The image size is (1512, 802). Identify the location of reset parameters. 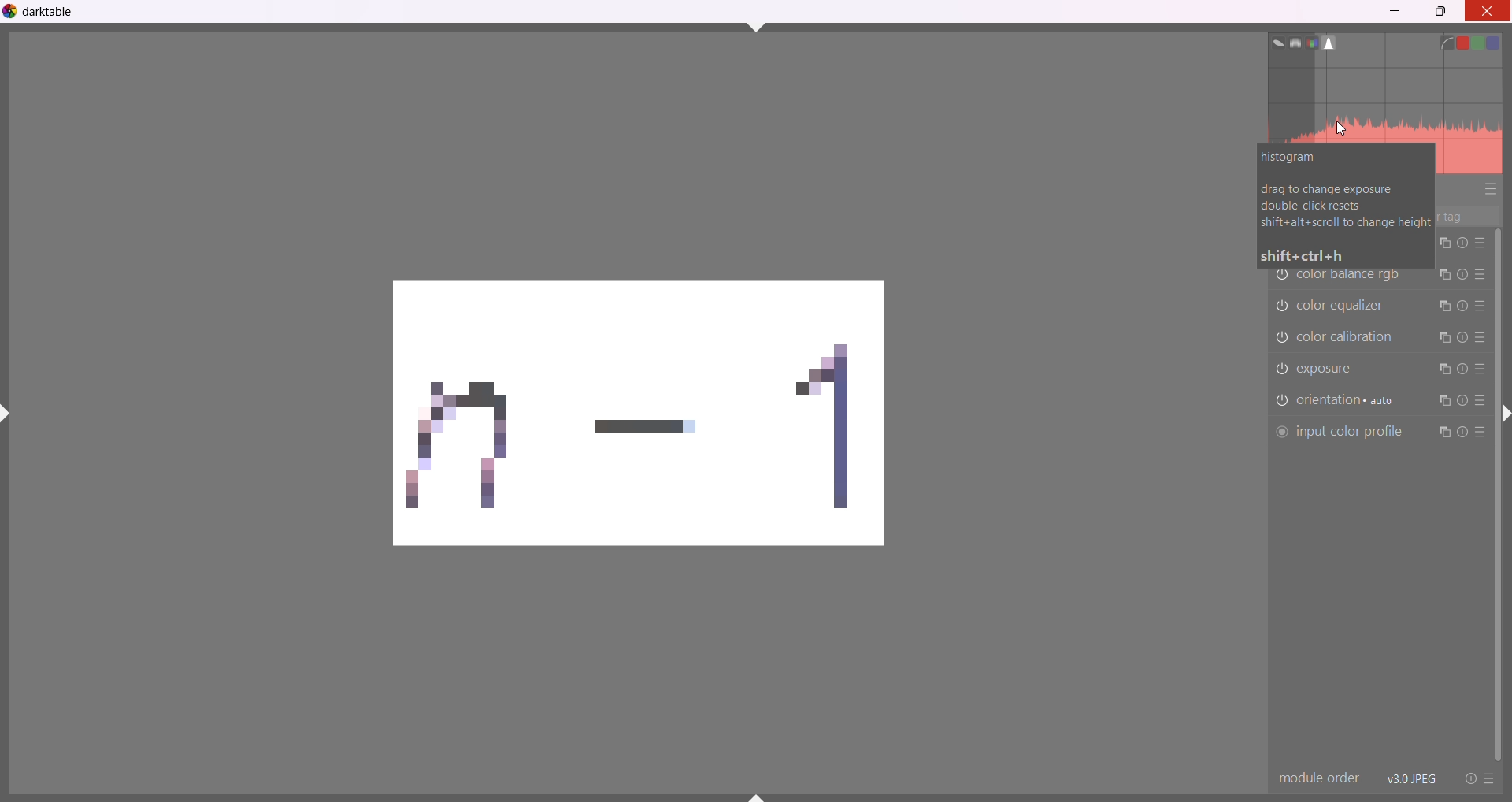
(1462, 243).